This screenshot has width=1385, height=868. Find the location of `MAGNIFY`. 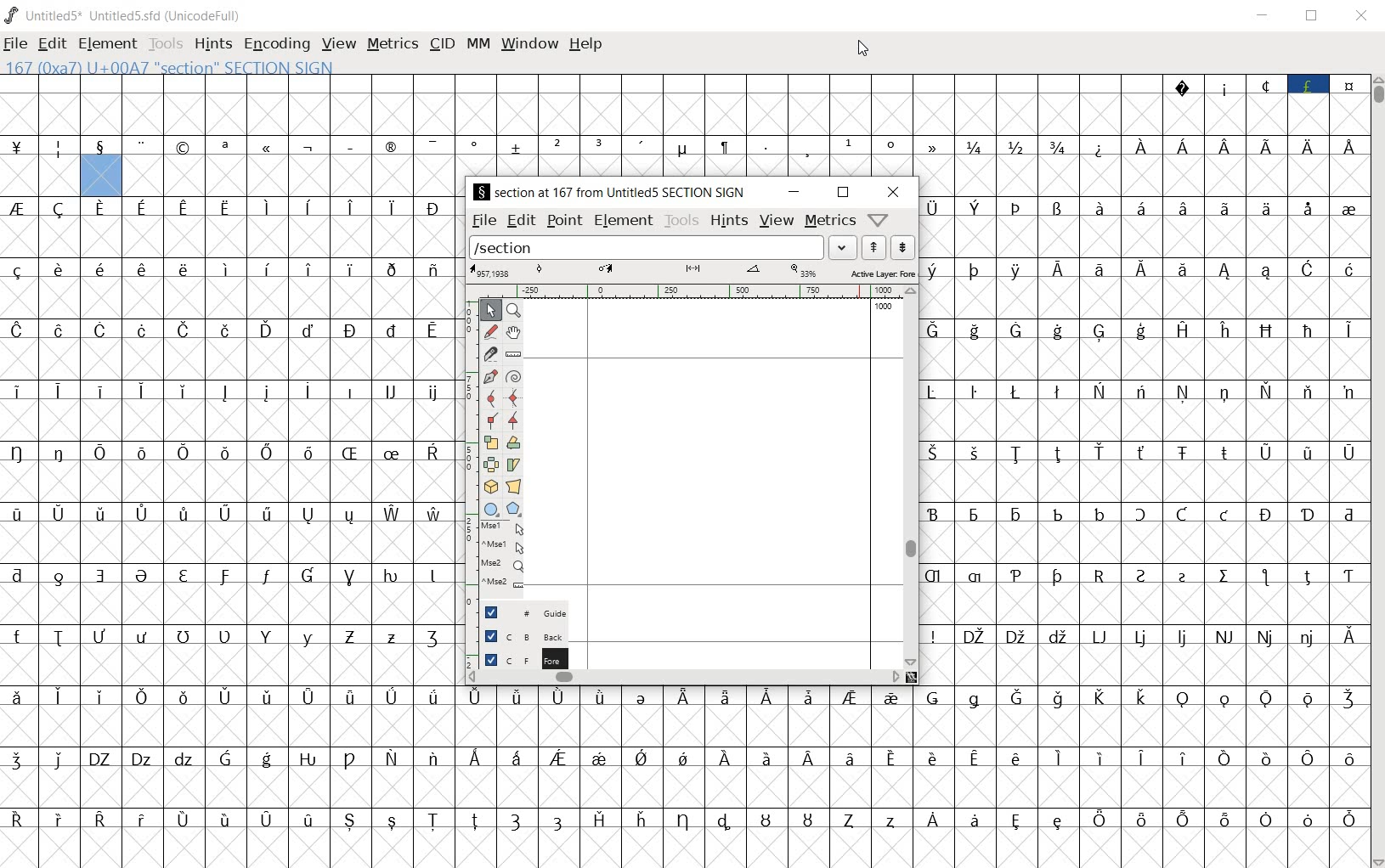

MAGNIFY is located at coordinates (515, 309).